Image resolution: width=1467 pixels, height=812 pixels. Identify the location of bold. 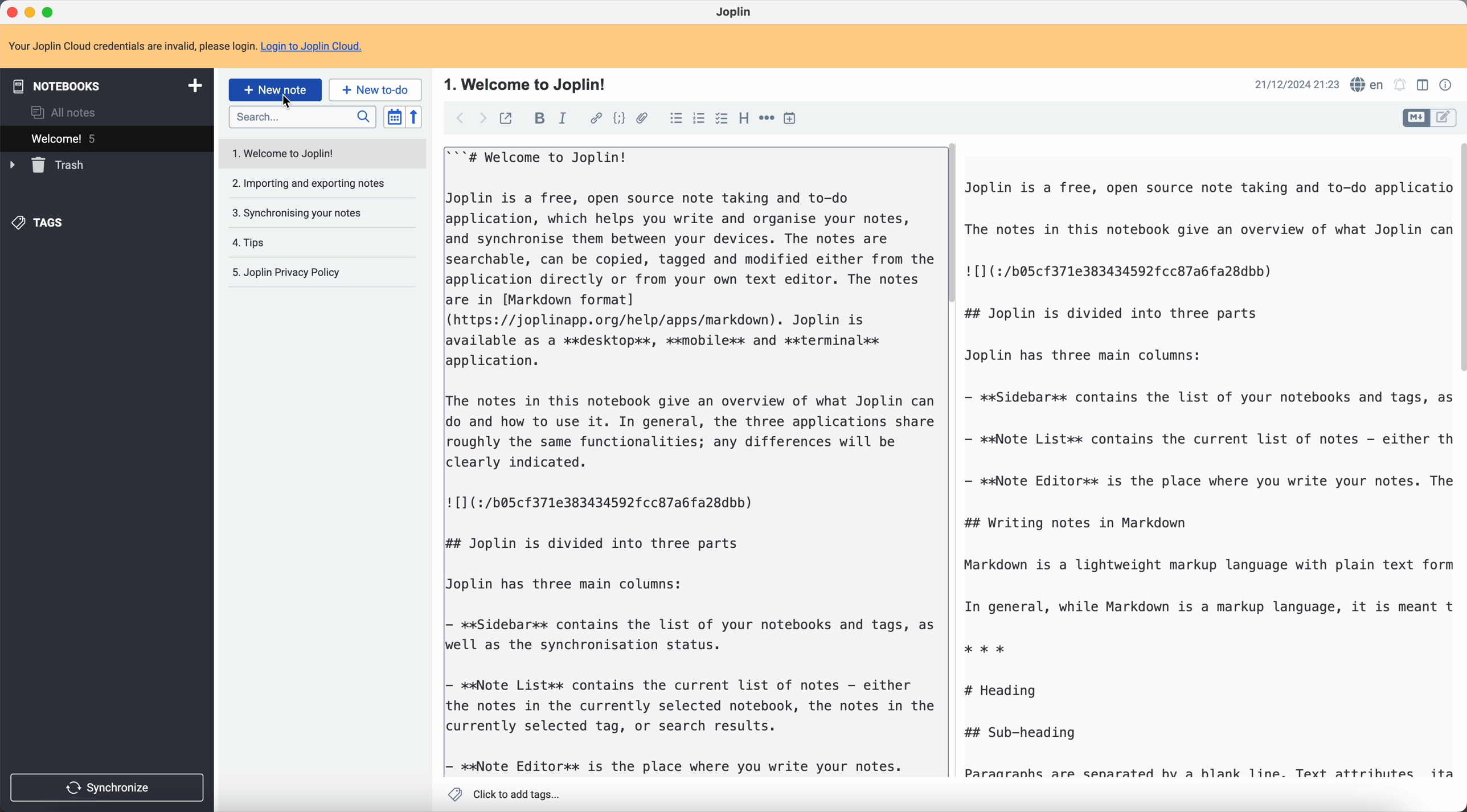
(538, 118).